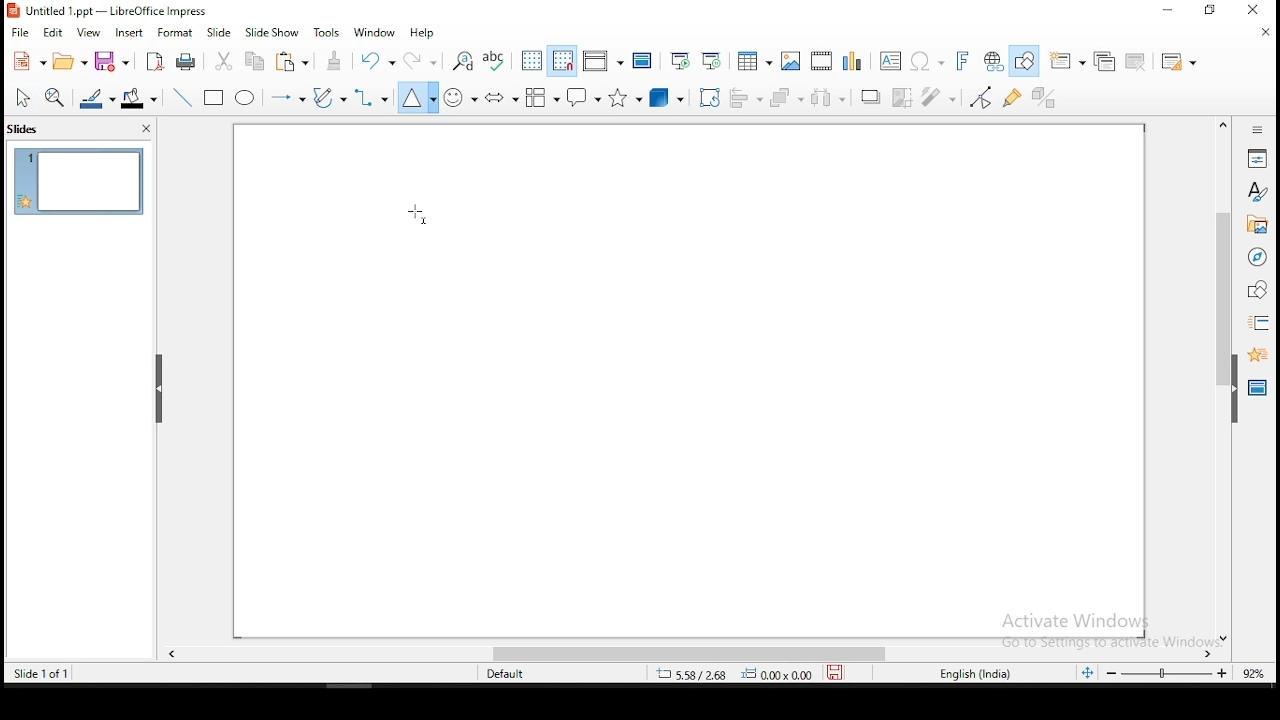 This screenshot has width=1280, height=720. What do you see at coordinates (40, 671) in the screenshot?
I see `slide 1 of 1` at bounding box center [40, 671].